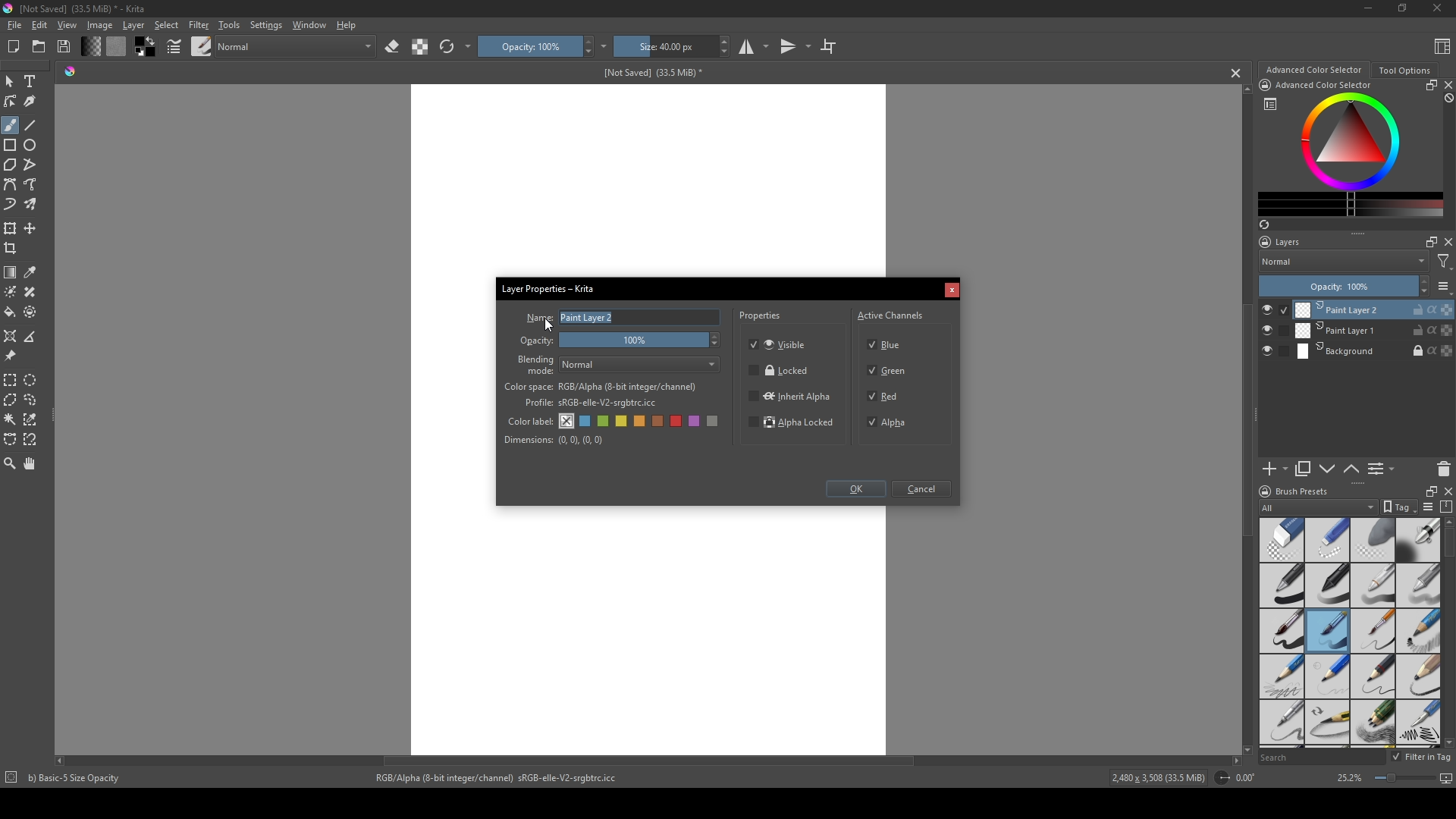  I want to click on calligraphy pen, so click(1418, 724).